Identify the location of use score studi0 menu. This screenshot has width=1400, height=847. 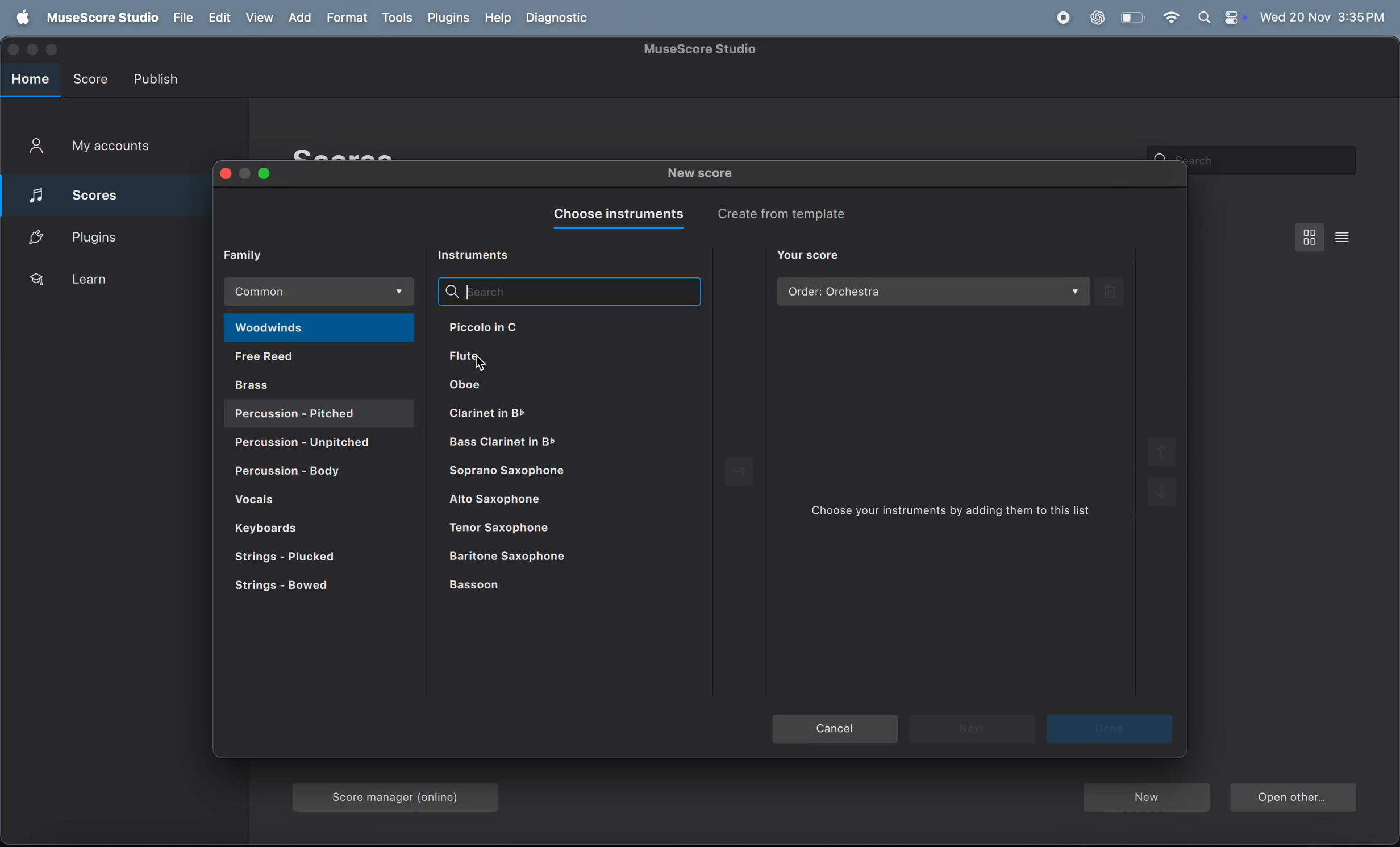
(99, 18).